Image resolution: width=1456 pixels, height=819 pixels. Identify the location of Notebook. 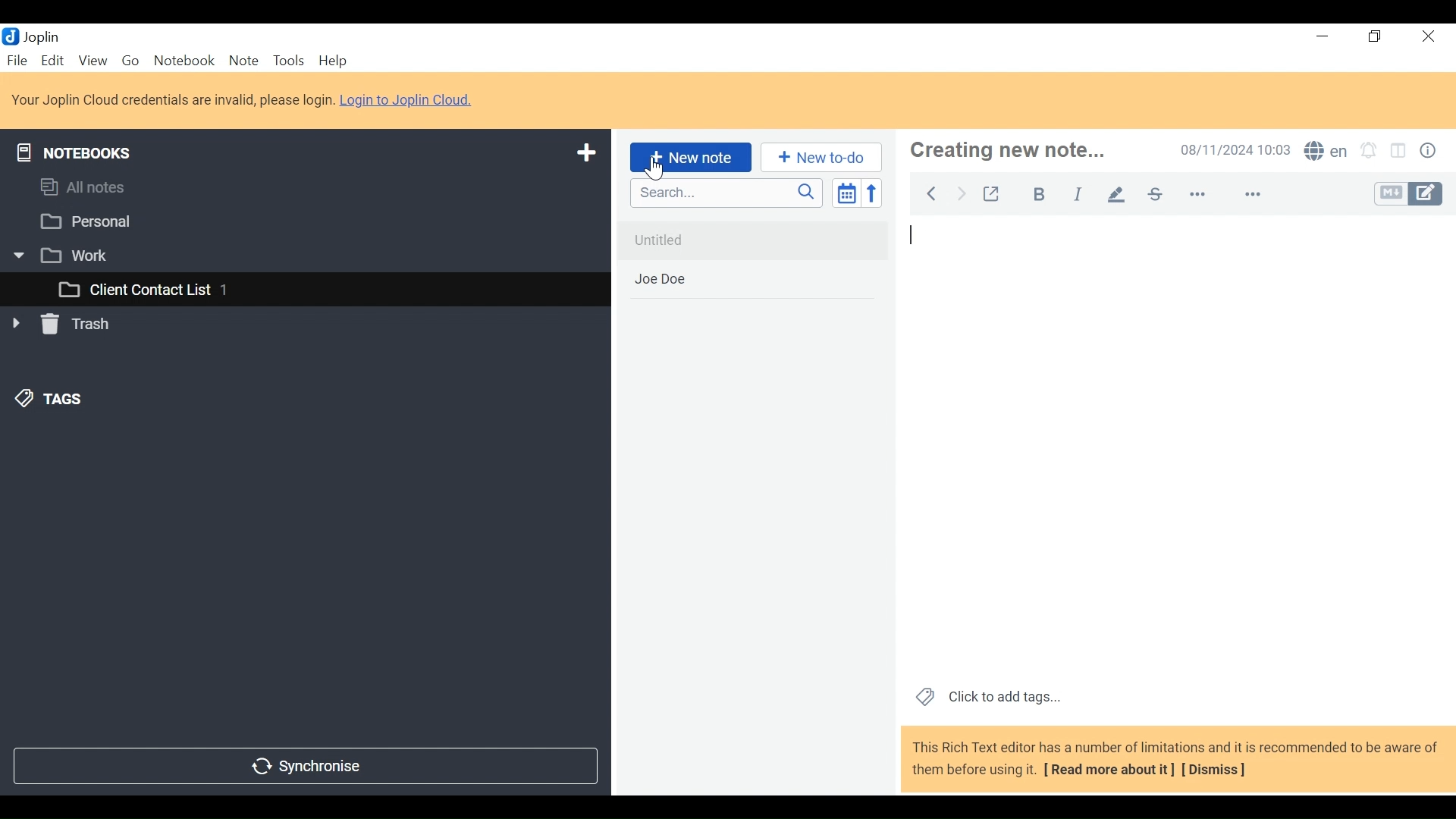
(183, 61).